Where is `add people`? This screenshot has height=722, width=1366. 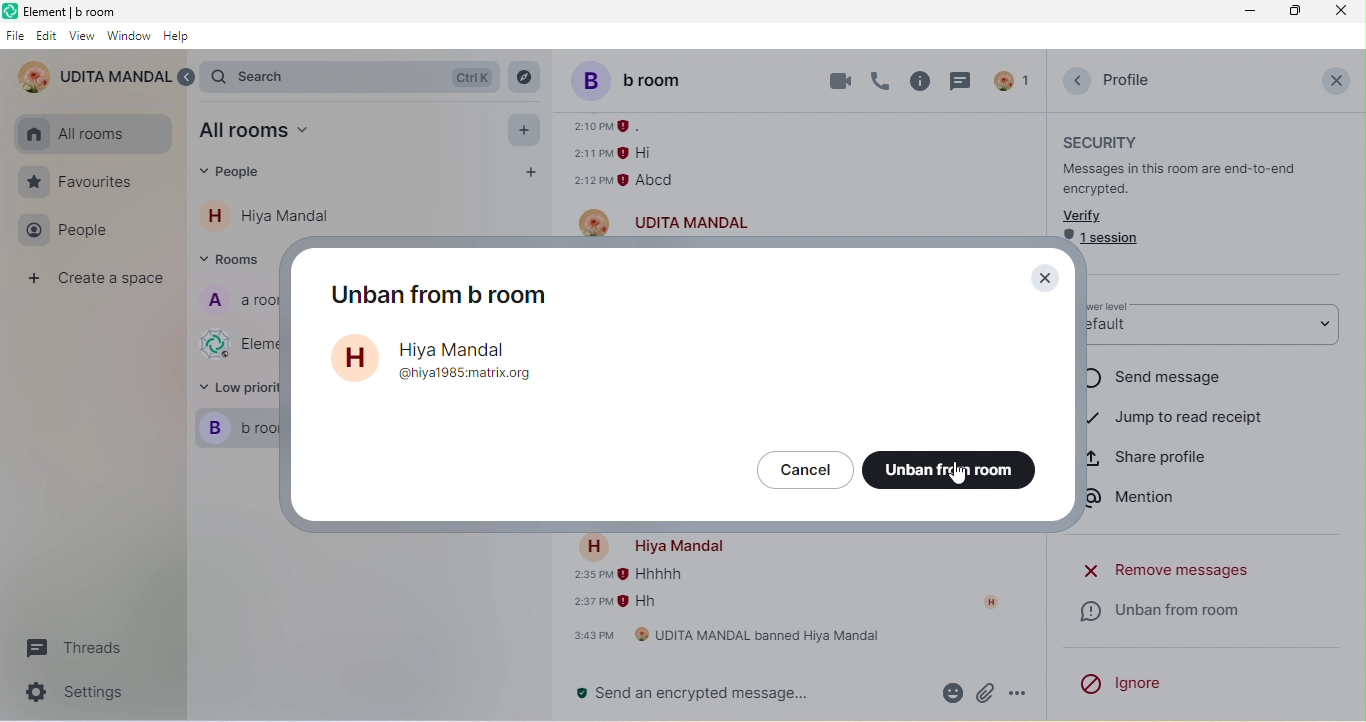 add people is located at coordinates (526, 172).